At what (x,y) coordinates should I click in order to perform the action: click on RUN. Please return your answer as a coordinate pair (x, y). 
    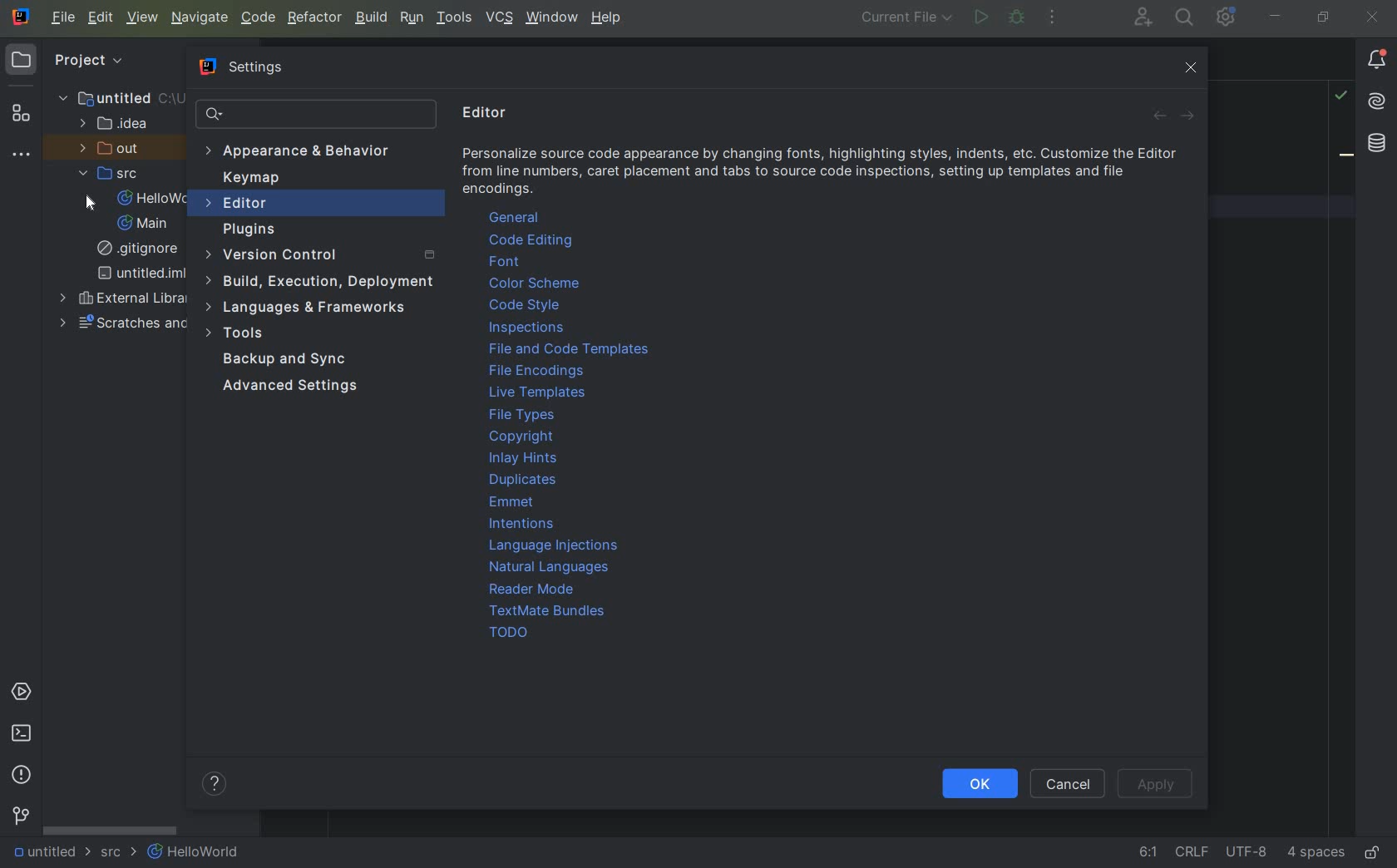
    Looking at the image, I should click on (412, 18).